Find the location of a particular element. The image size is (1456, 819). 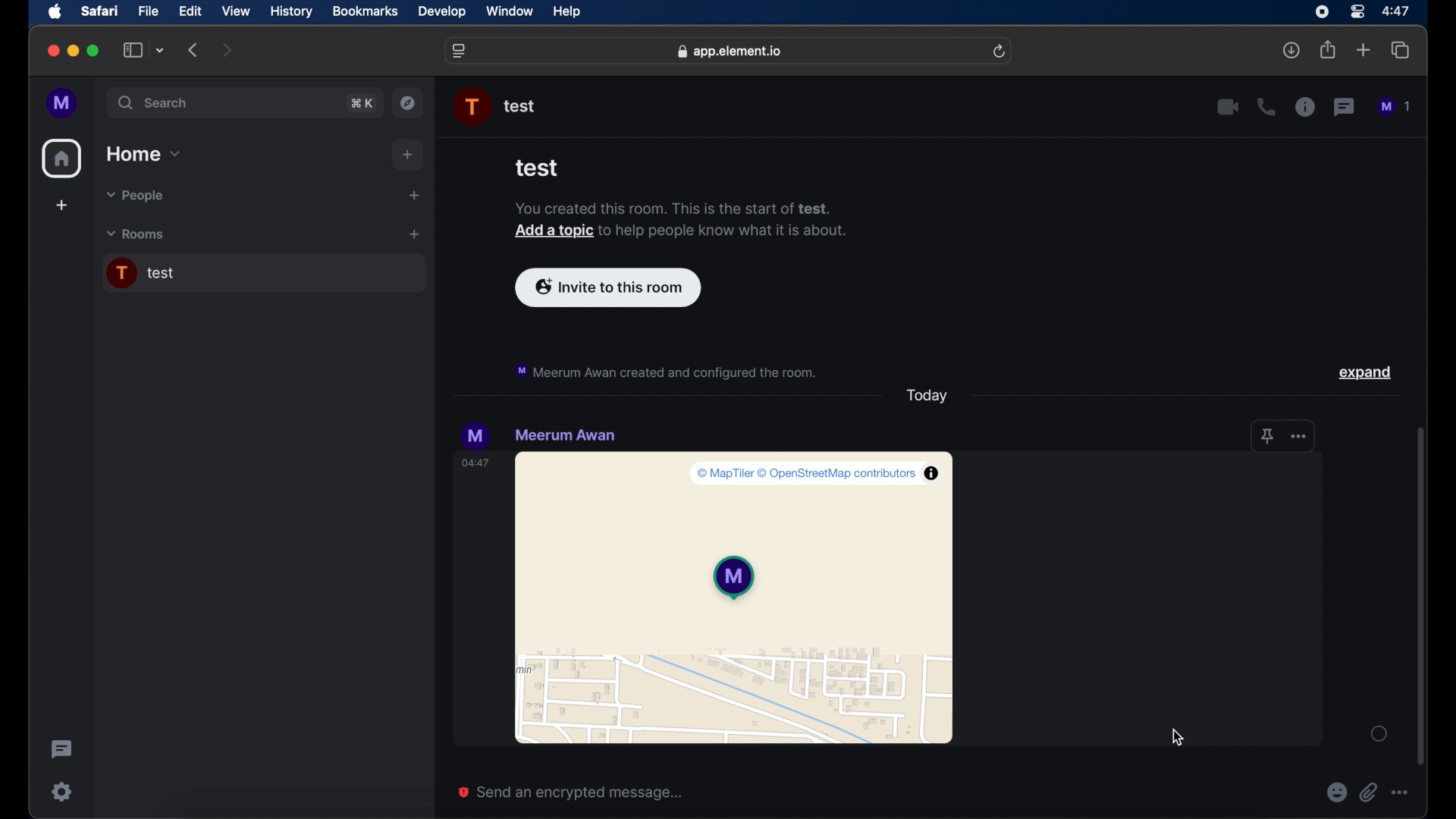

show sidebar is located at coordinates (132, 51).